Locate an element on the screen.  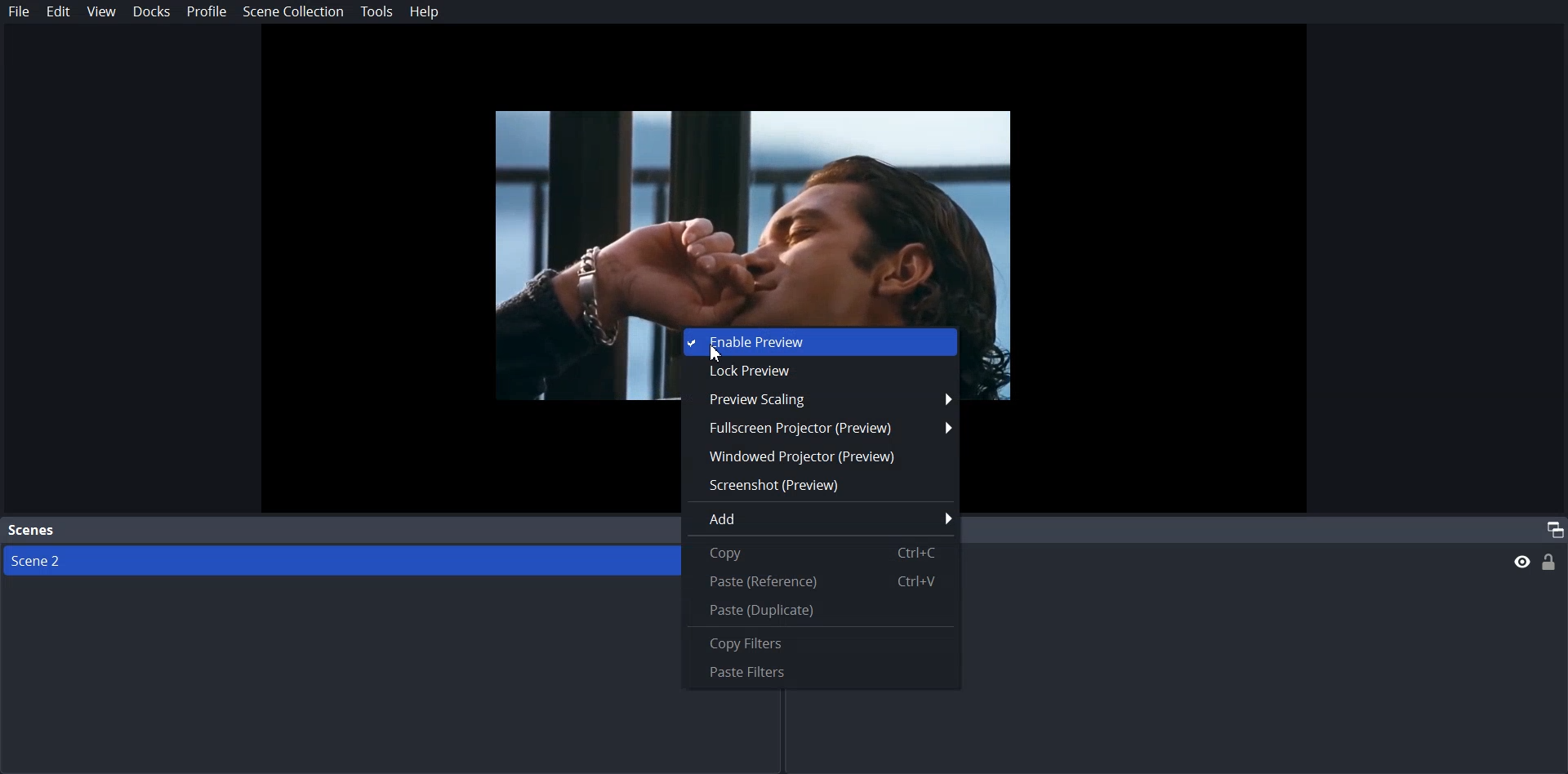
Preview Scaling is located at coordinates (818, 399).